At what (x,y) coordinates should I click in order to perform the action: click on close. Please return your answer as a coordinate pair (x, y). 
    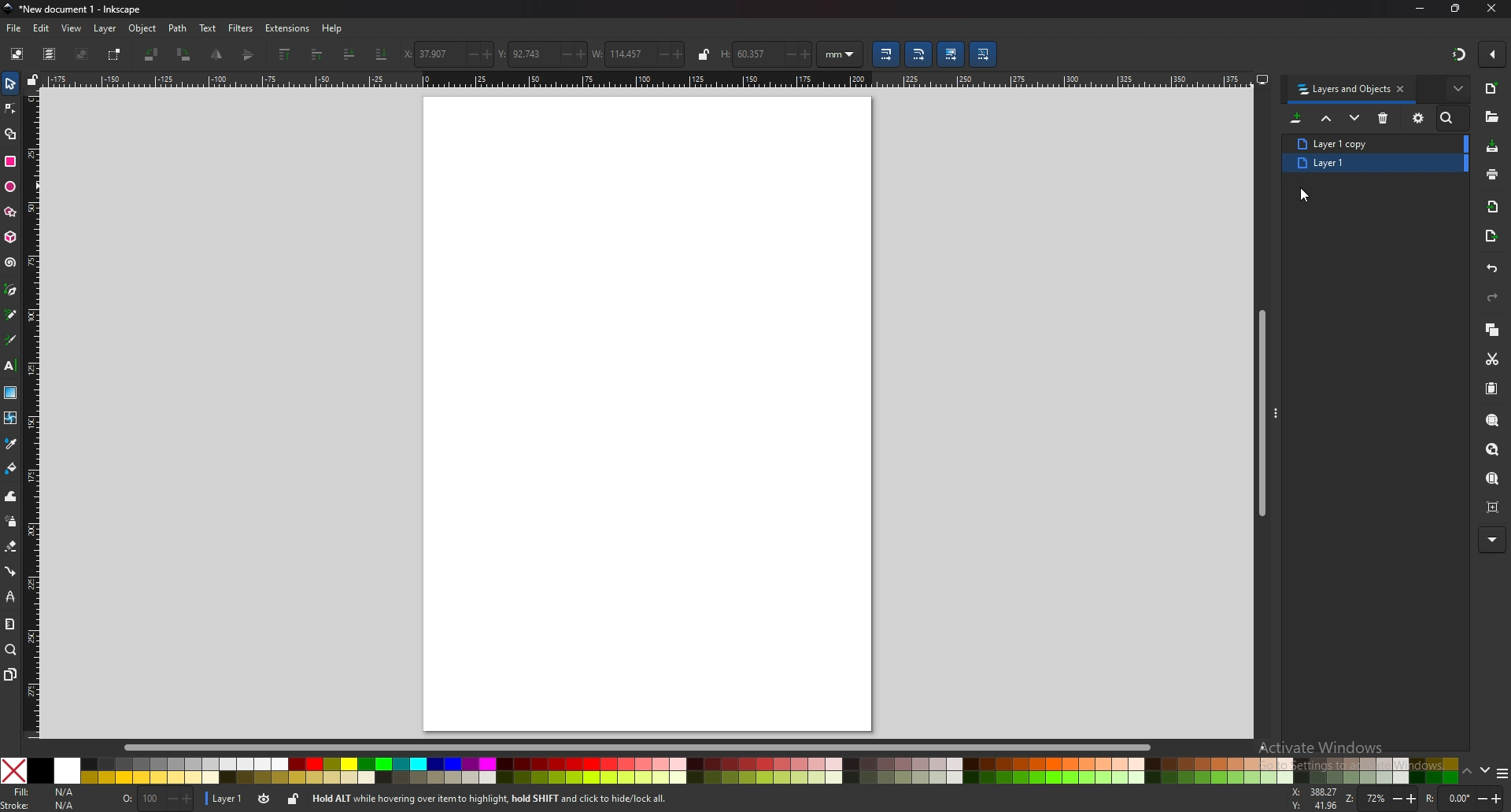
    Looking at the image, I should click on (1492, 9).